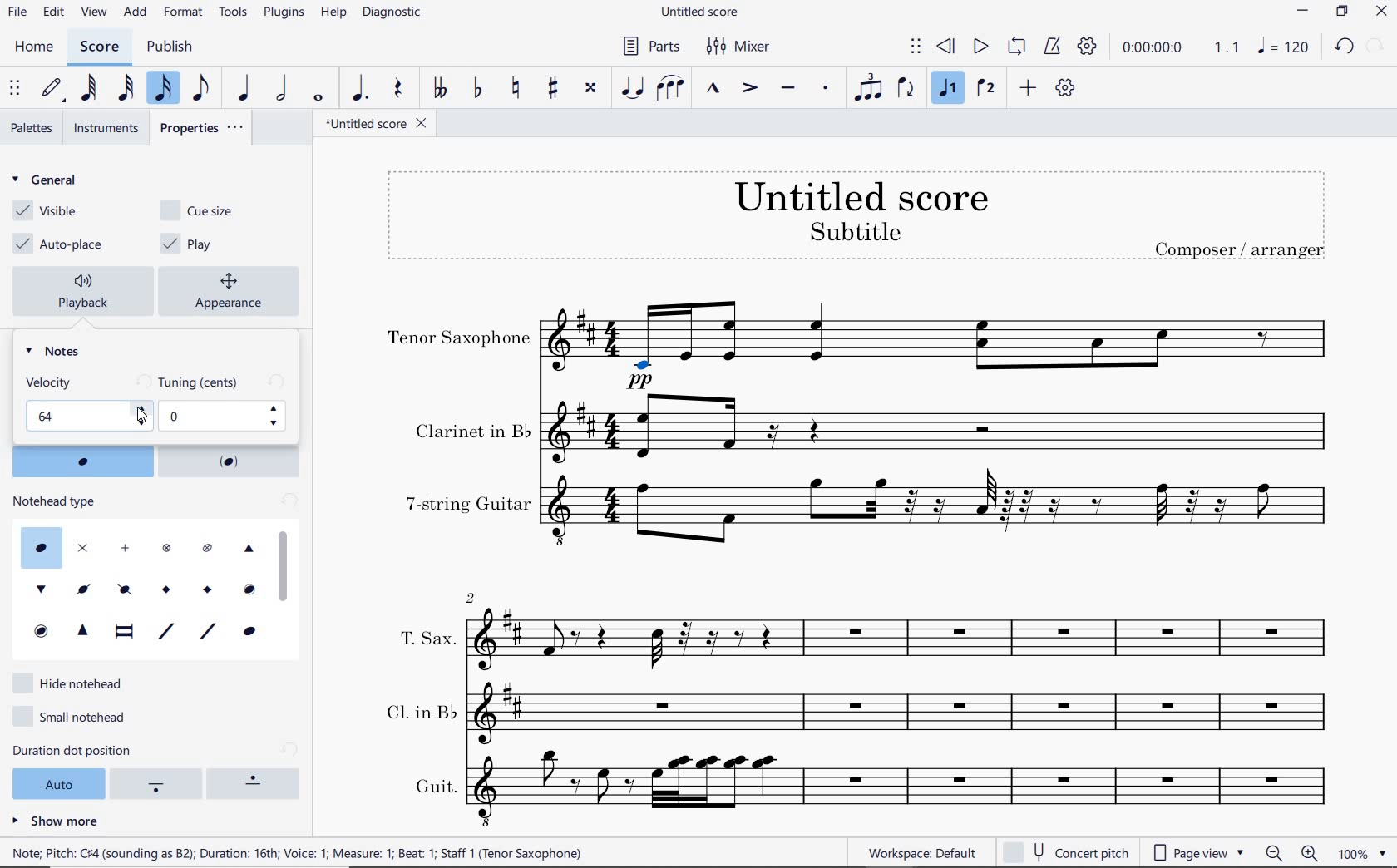 The image size is (1397, 868). I want to click on 32ND NOTE, so click(125, 89).